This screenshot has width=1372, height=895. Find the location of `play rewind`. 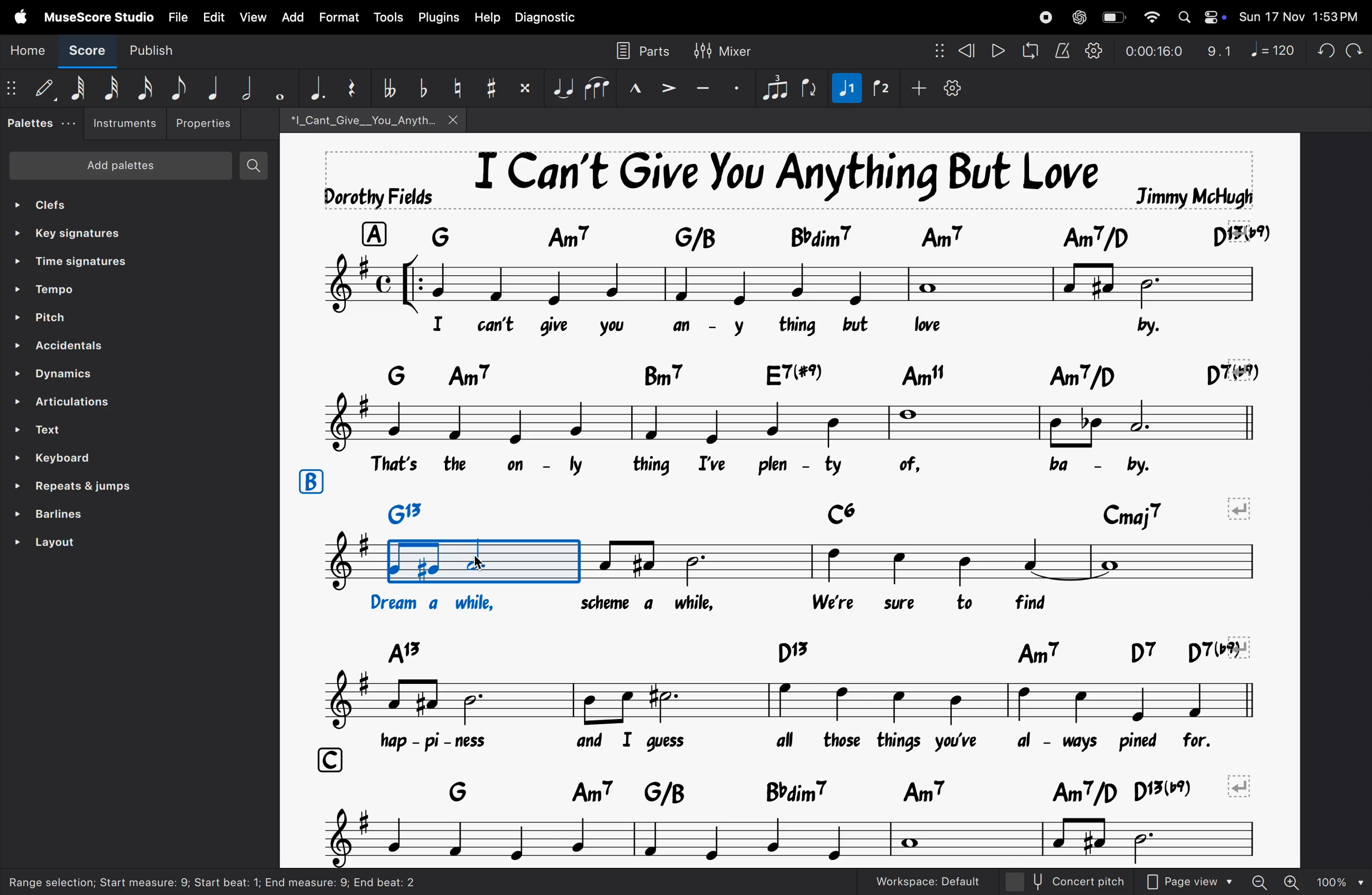

play rewind is located at coordinates (997, 50).